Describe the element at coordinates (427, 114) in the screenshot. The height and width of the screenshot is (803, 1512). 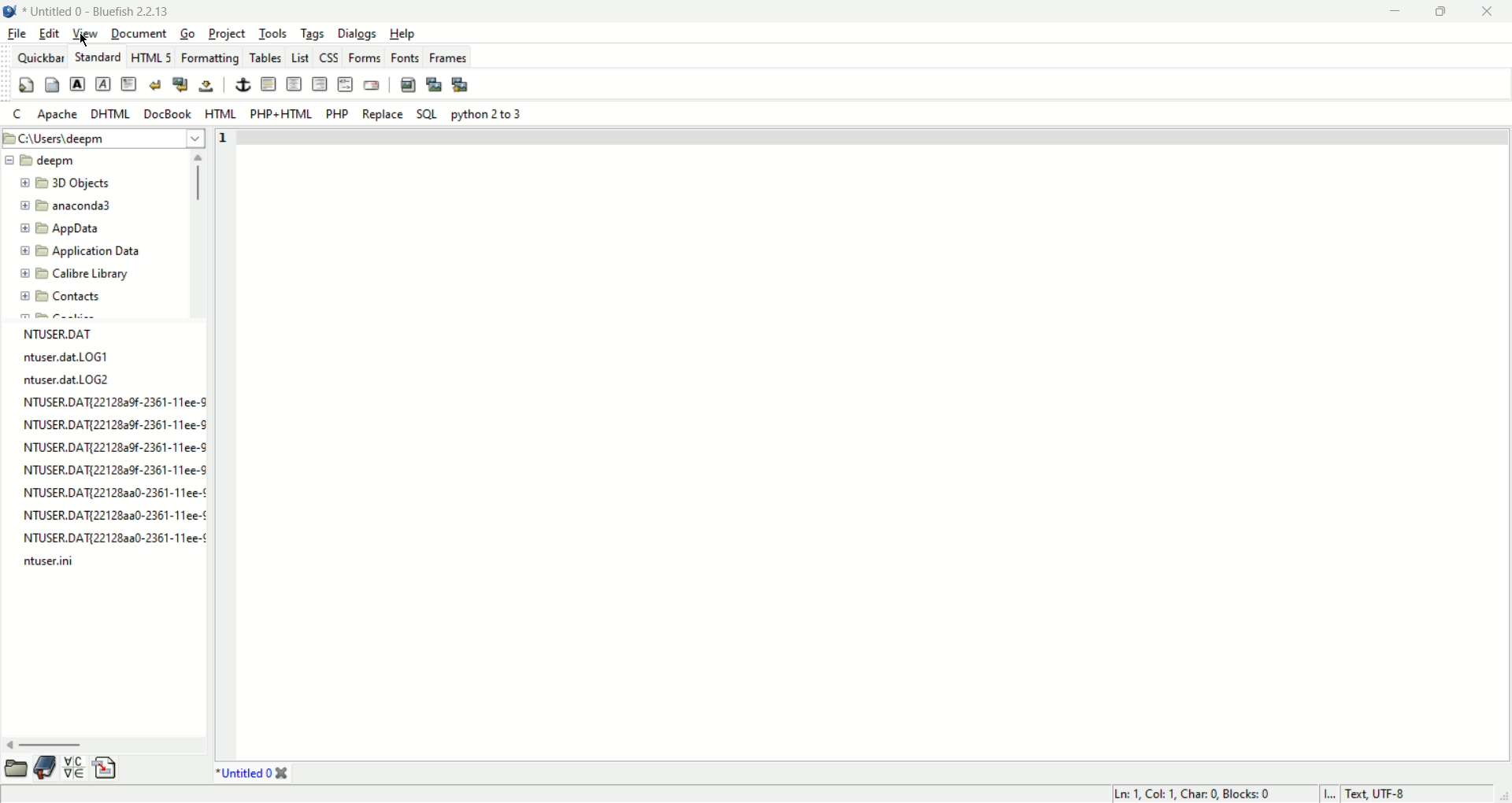
I see `SQL` at that location.